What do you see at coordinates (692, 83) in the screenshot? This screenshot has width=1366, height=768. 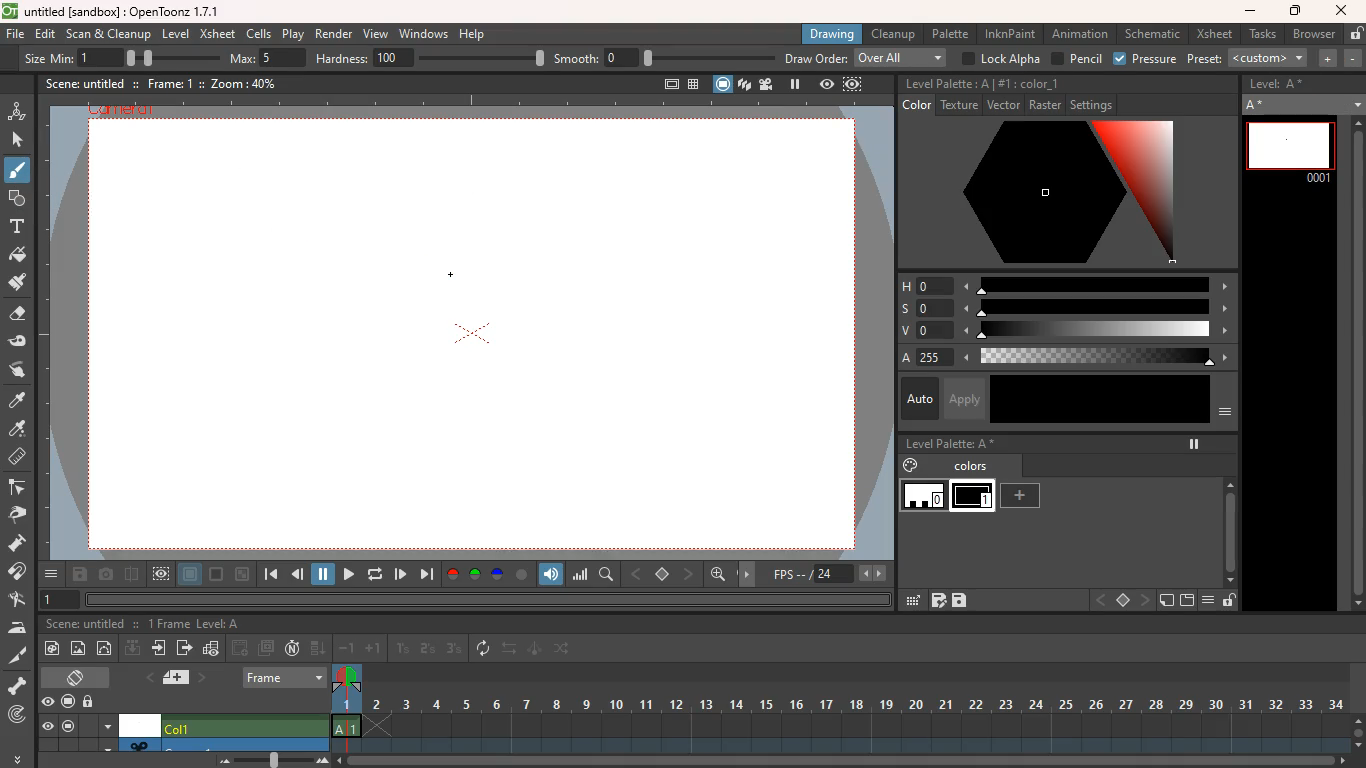 I see `table` at bounding box center [692, 83].